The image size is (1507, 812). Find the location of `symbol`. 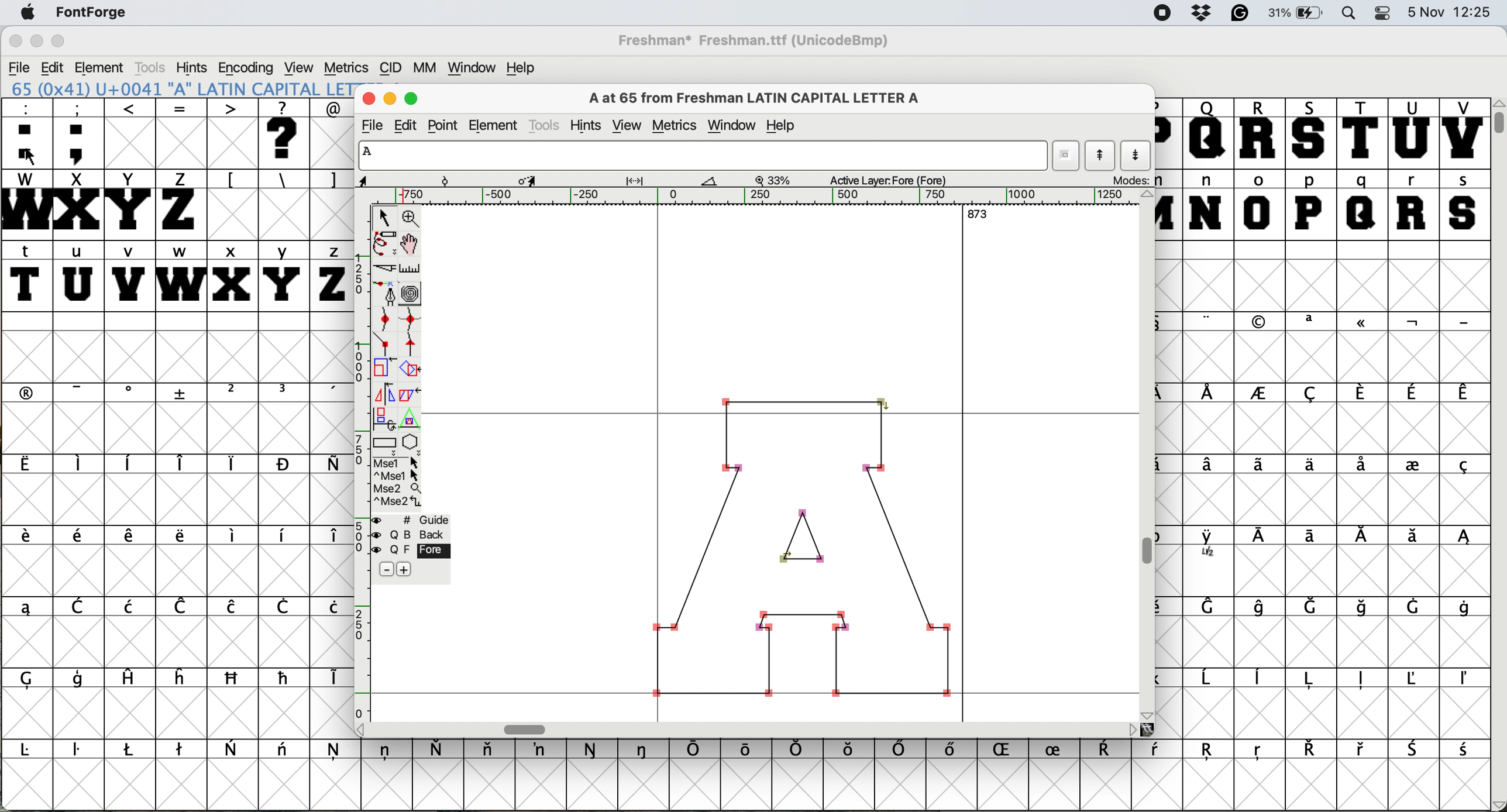

symbol is located at coordinates (696, 750).